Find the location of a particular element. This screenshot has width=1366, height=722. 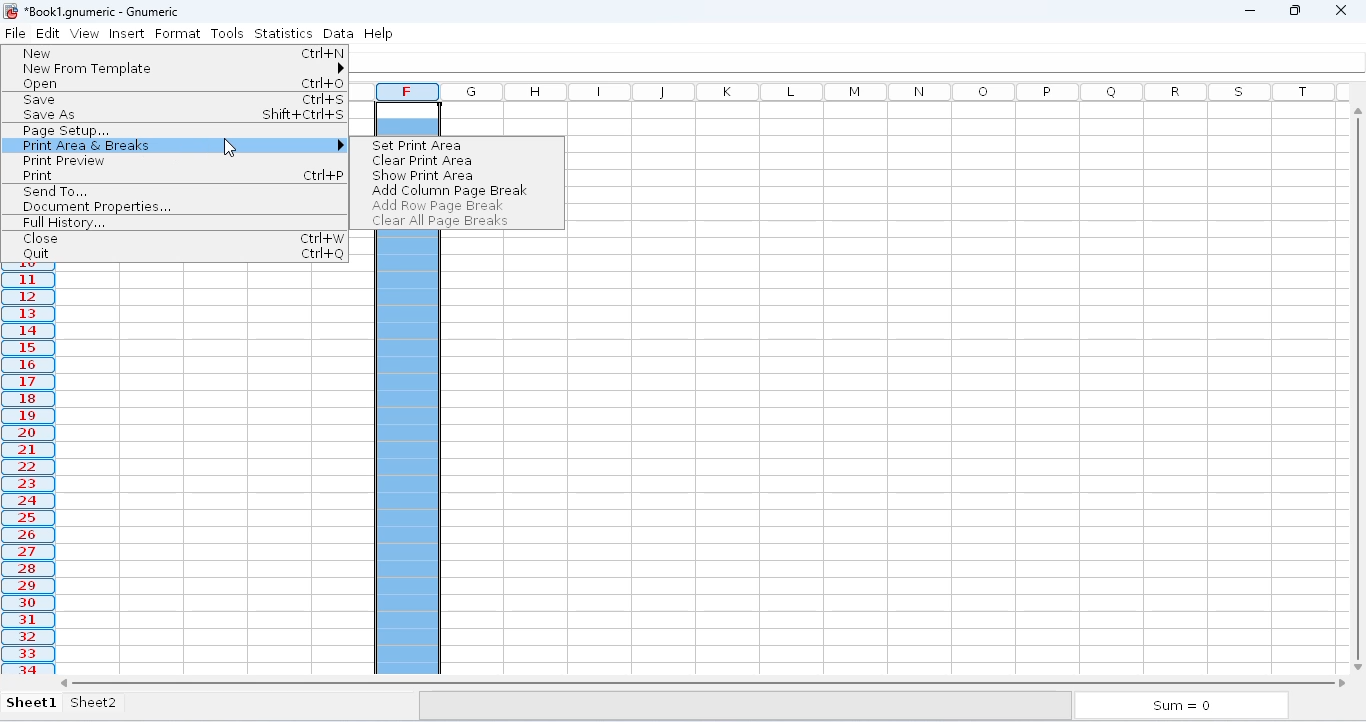

save as is located at coordinates (51, 116).